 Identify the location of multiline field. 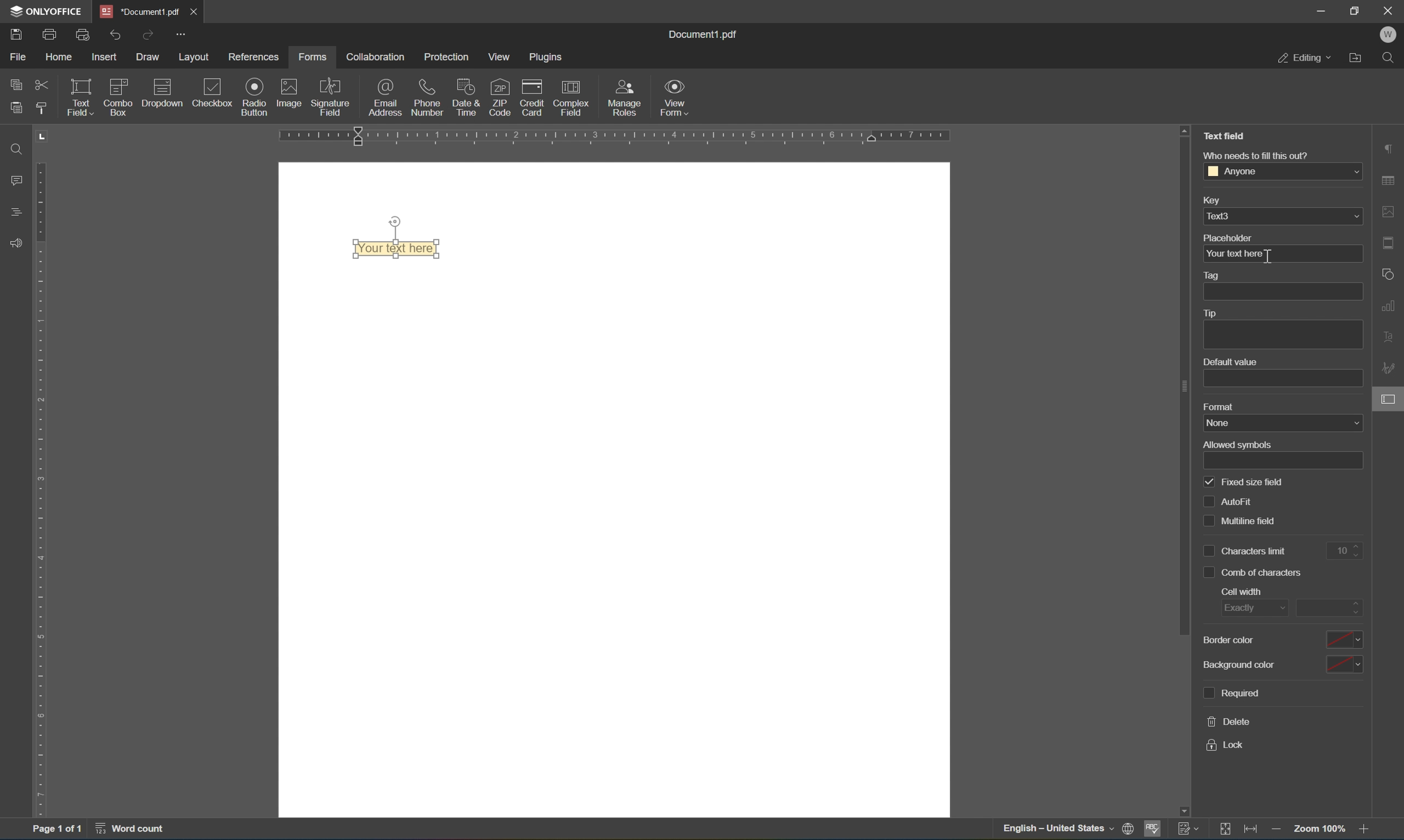
(1238, 521).